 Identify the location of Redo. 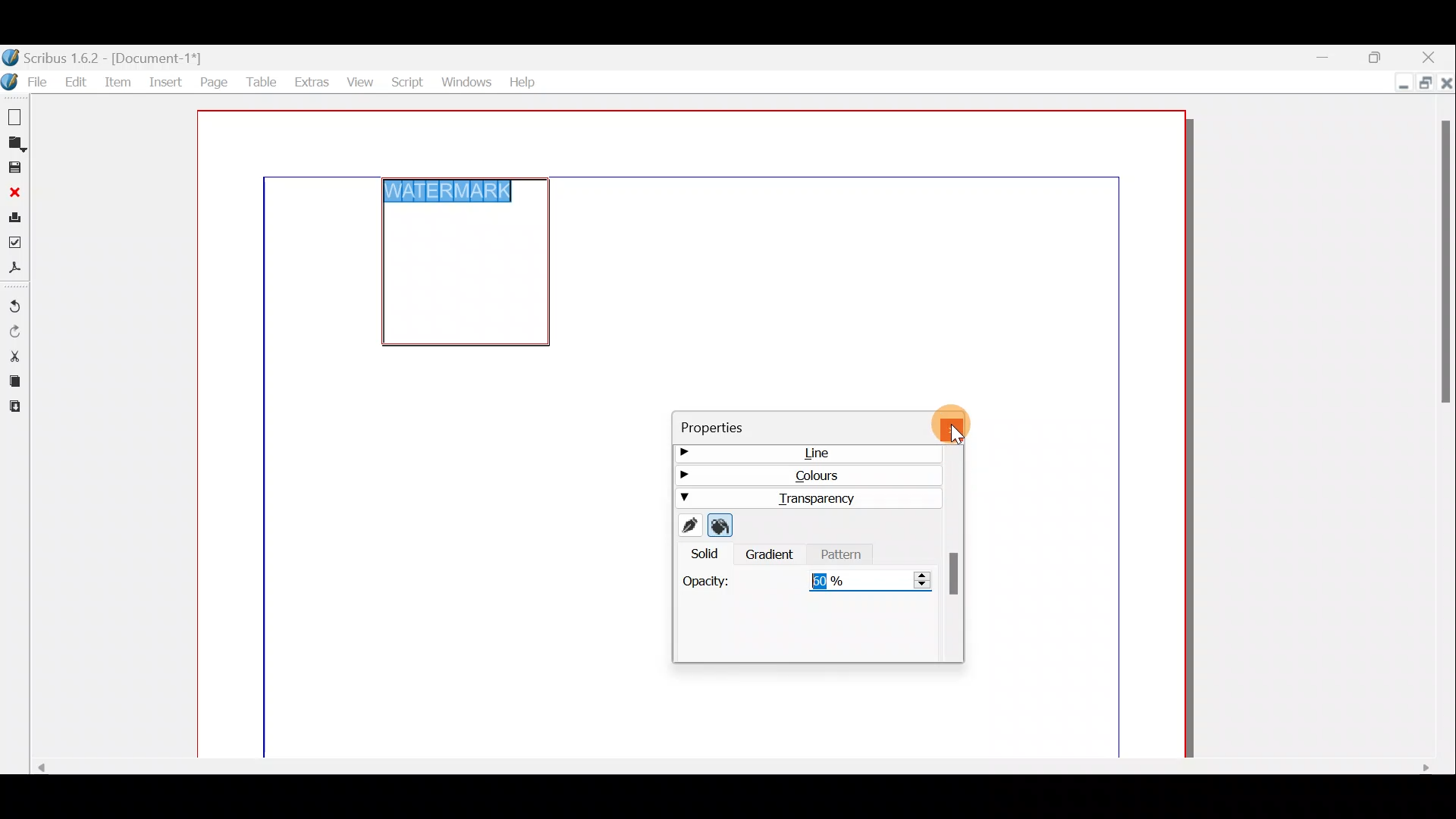
(14, 332).